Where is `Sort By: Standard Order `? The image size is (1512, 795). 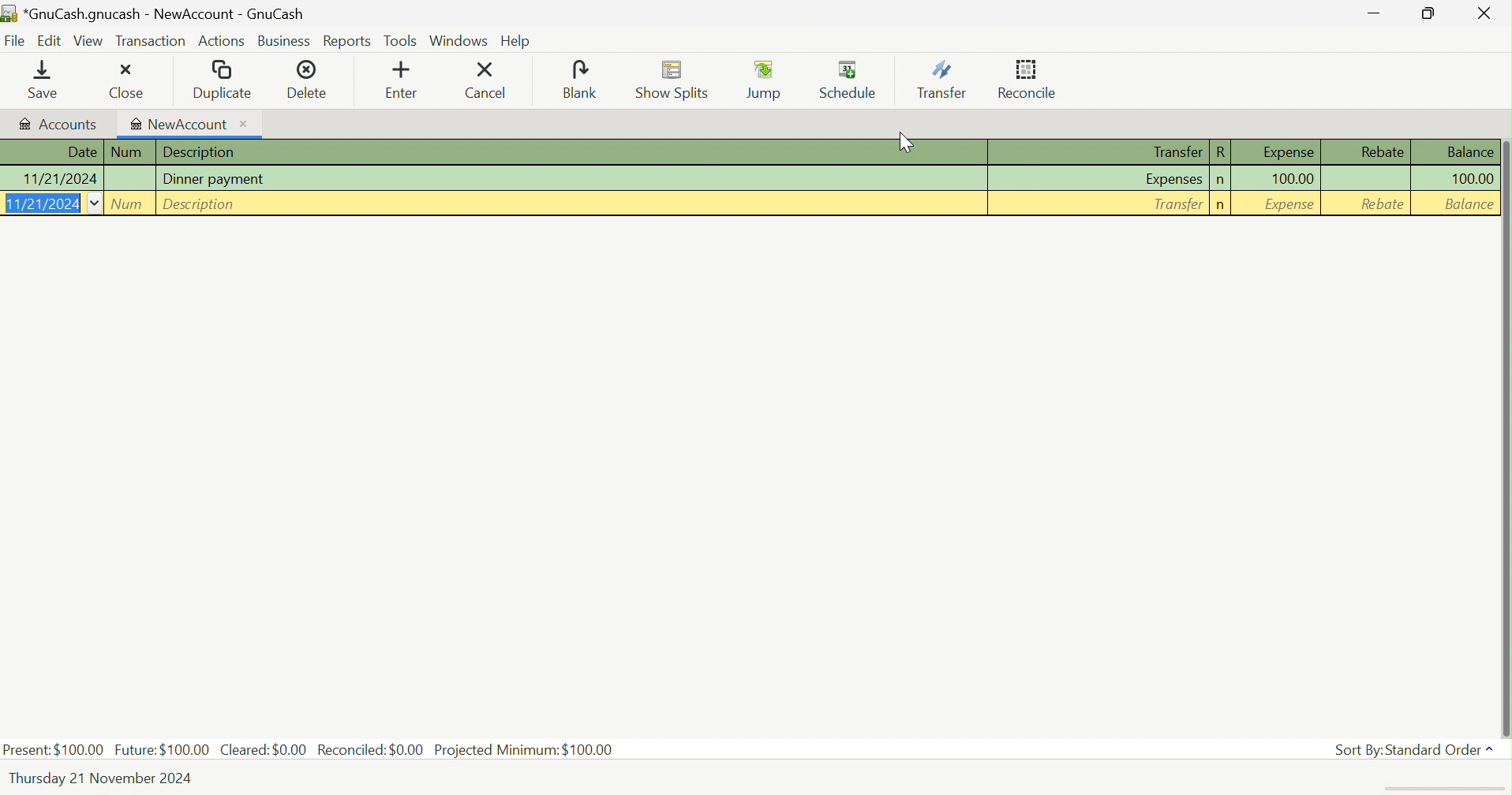
Sort By: Standard Order  is located at coordinates (1406, 751).